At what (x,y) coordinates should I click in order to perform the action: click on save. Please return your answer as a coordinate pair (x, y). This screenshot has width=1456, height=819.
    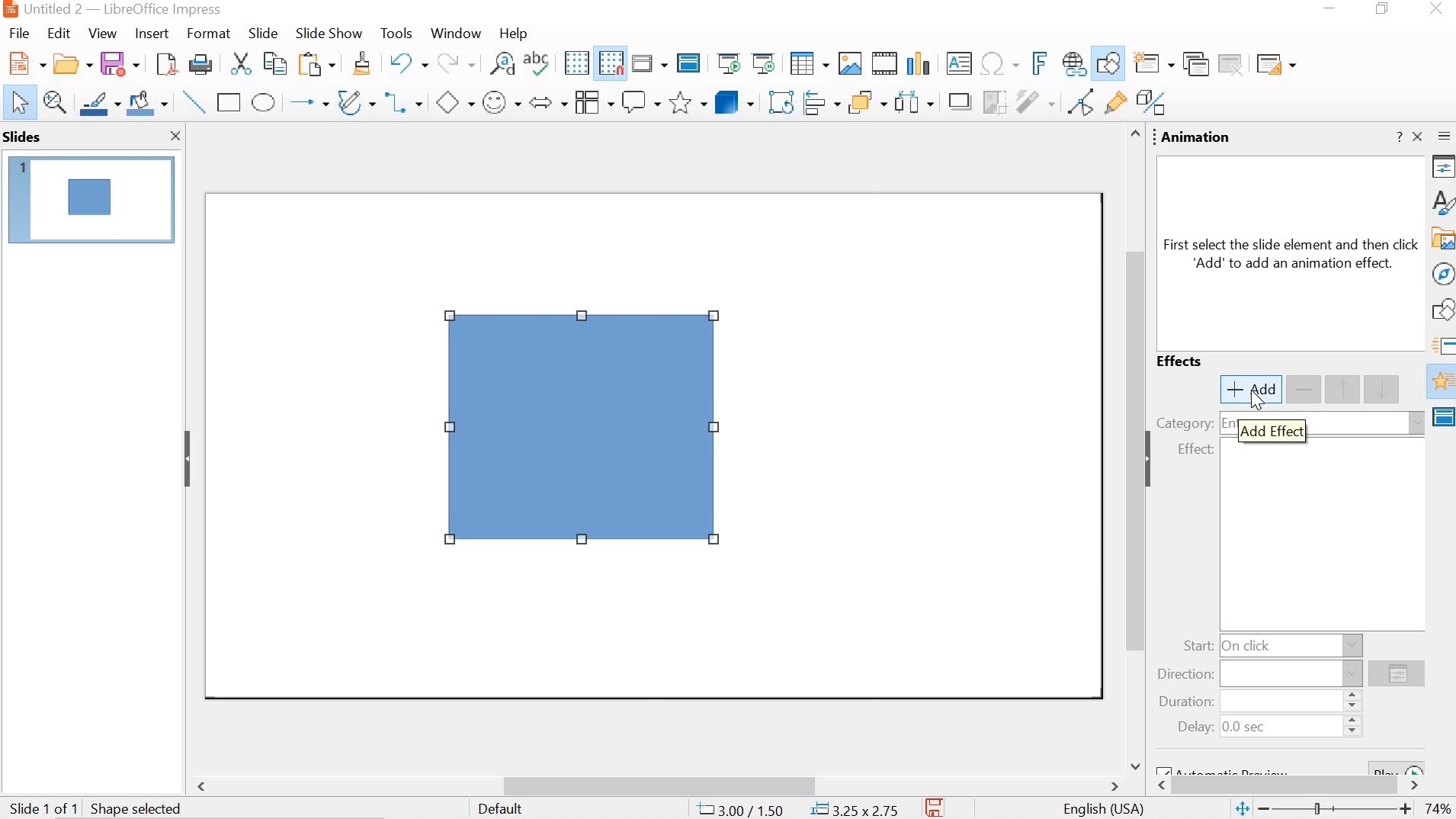
    Looking at the image, I should click on (936, 808).